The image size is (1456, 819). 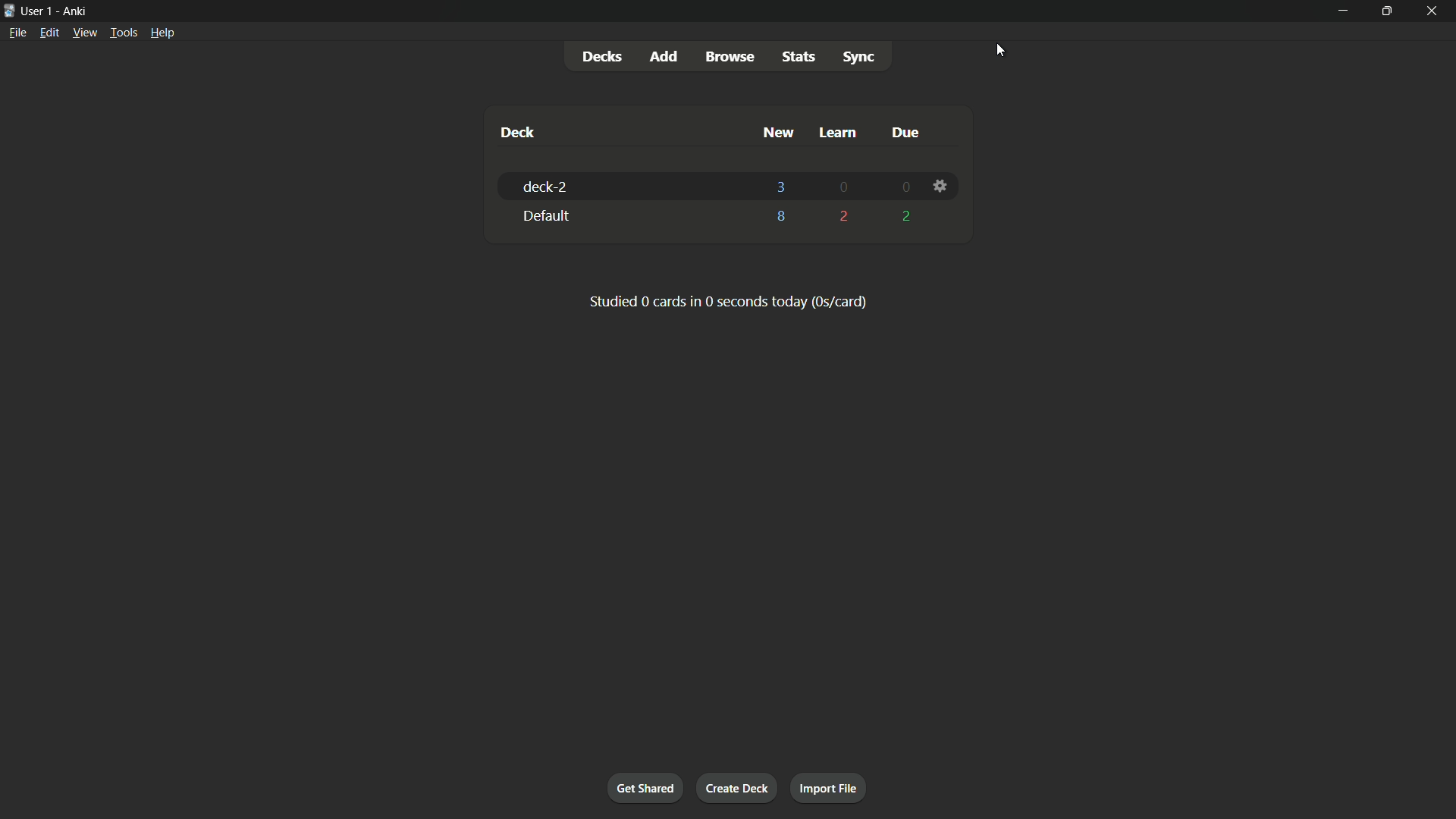 I want to click on browse, so click(x=730, y=56).